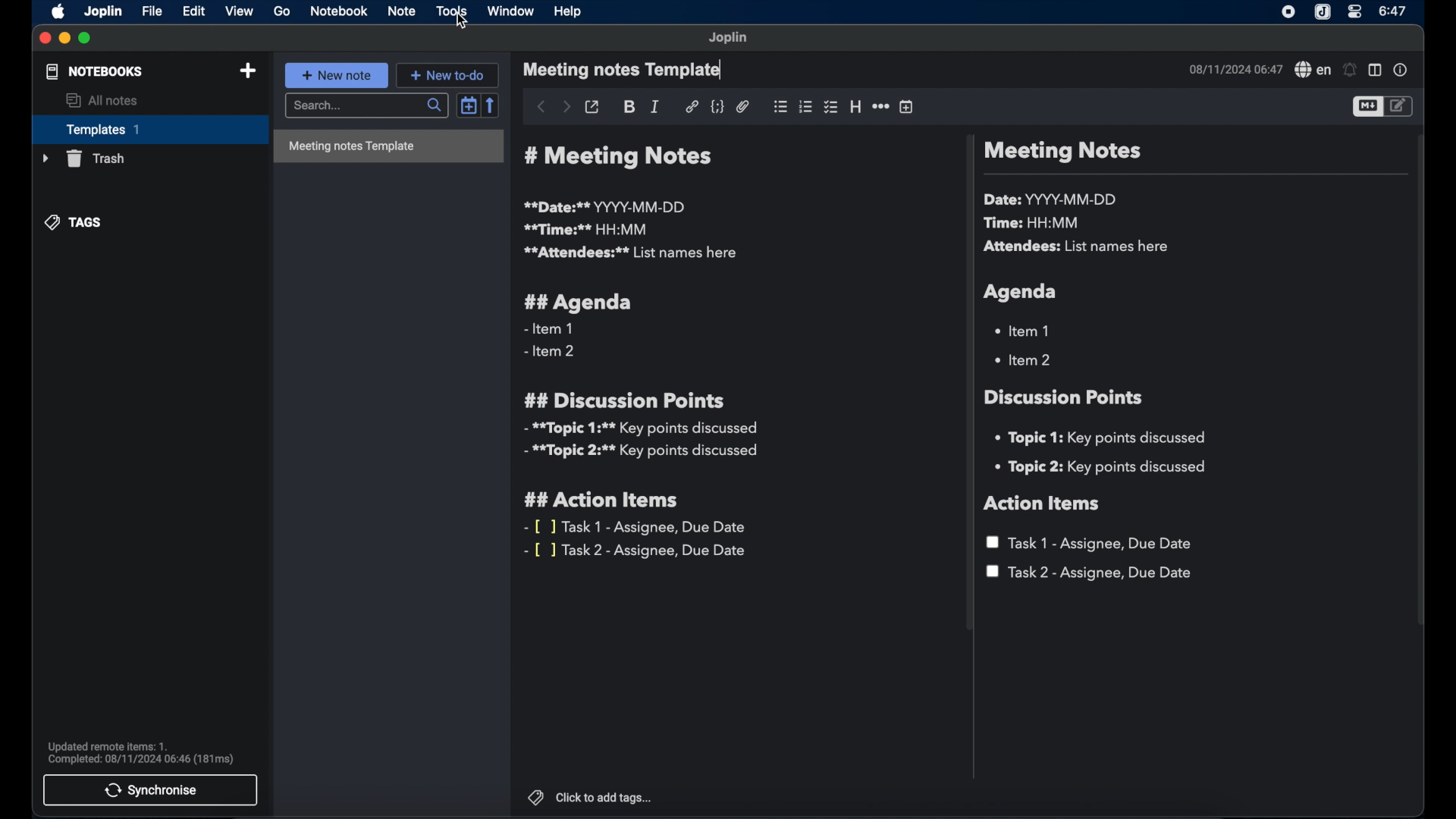  Describe the element at coordinates (966, 385) in the screenshot. I see `scroll bar` at that location.